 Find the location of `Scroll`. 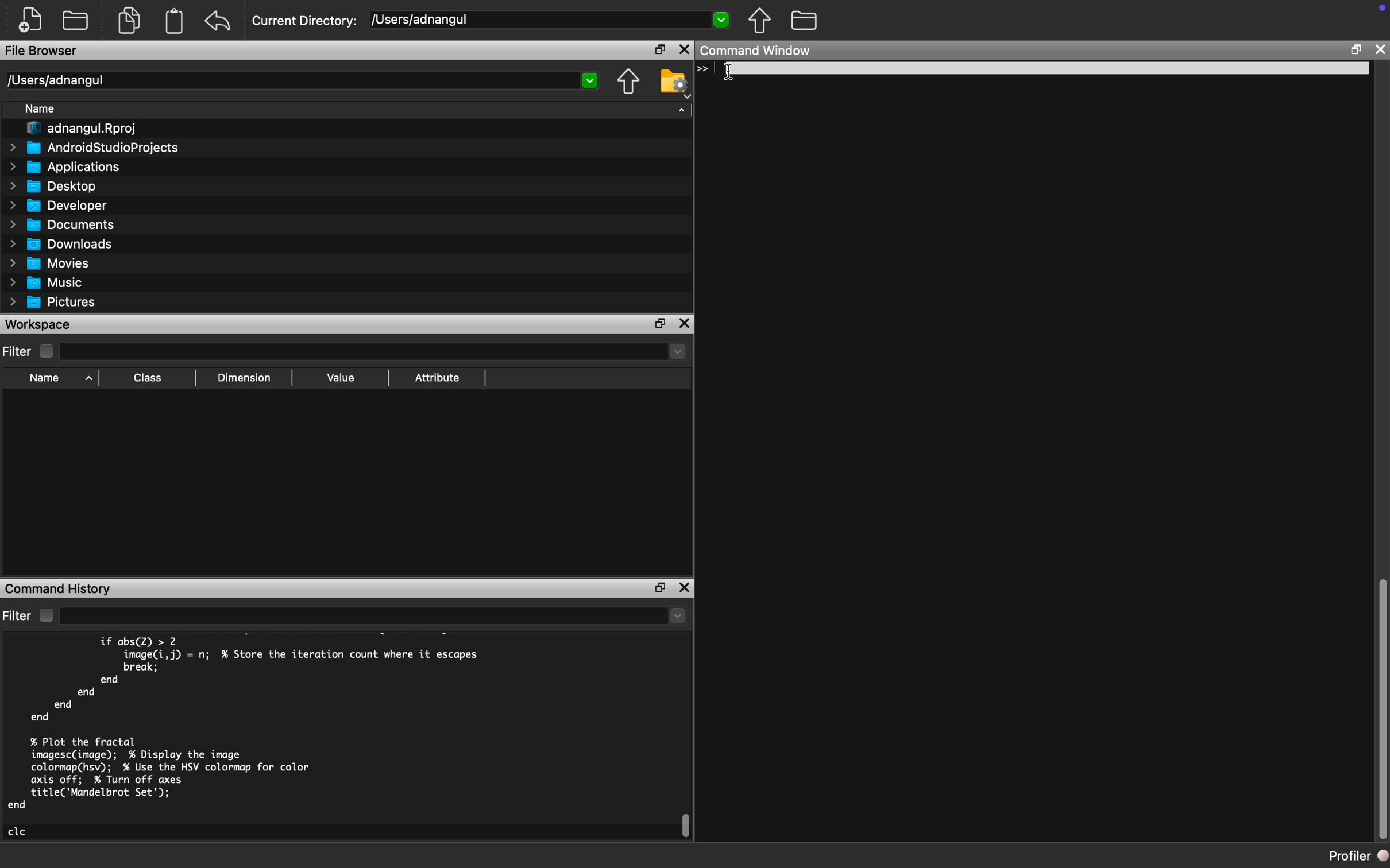

Scroll is located at coordinates (1380, 708).